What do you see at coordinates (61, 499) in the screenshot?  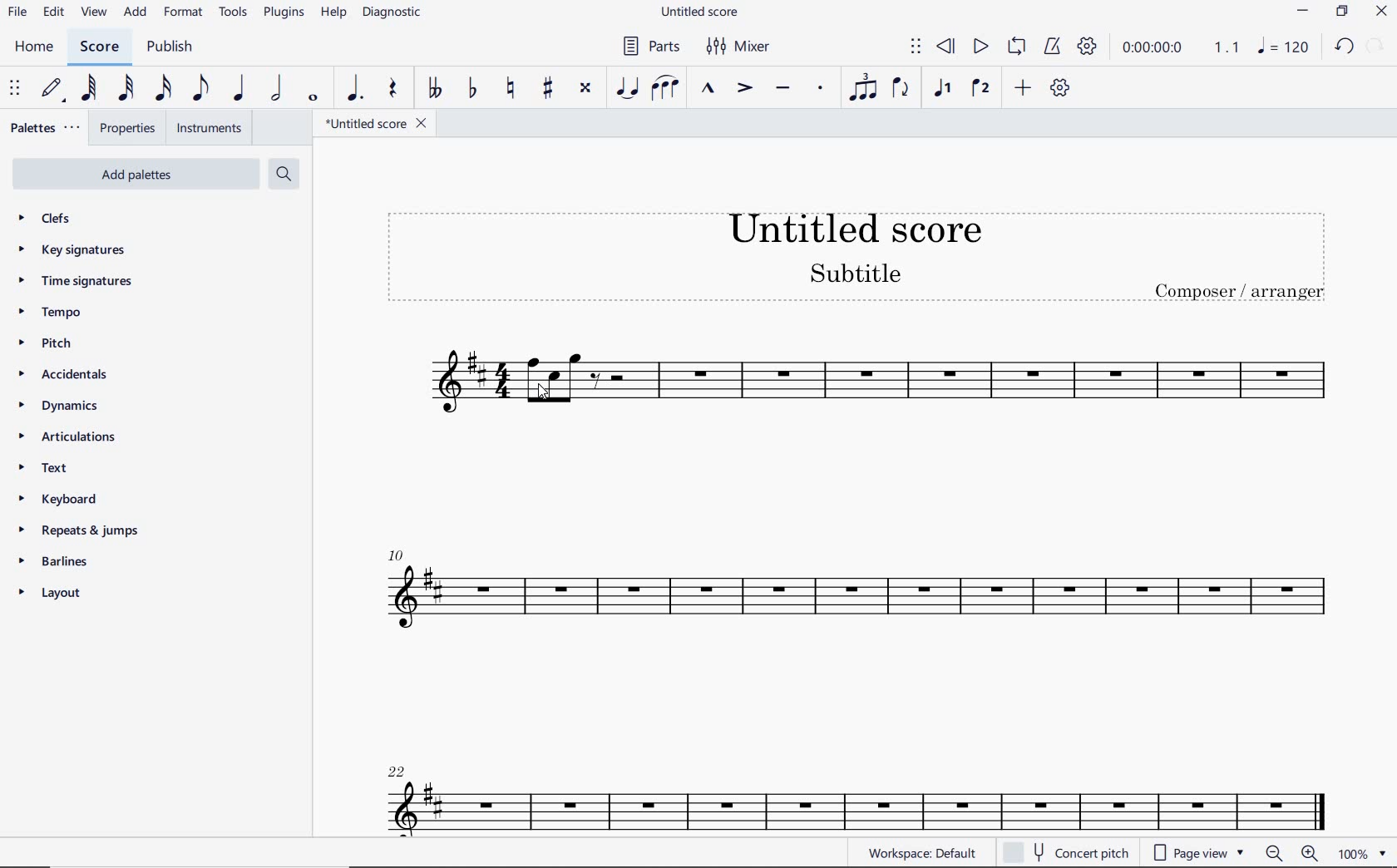 I see `KEYBOARD` at bounding box center [61, 499].